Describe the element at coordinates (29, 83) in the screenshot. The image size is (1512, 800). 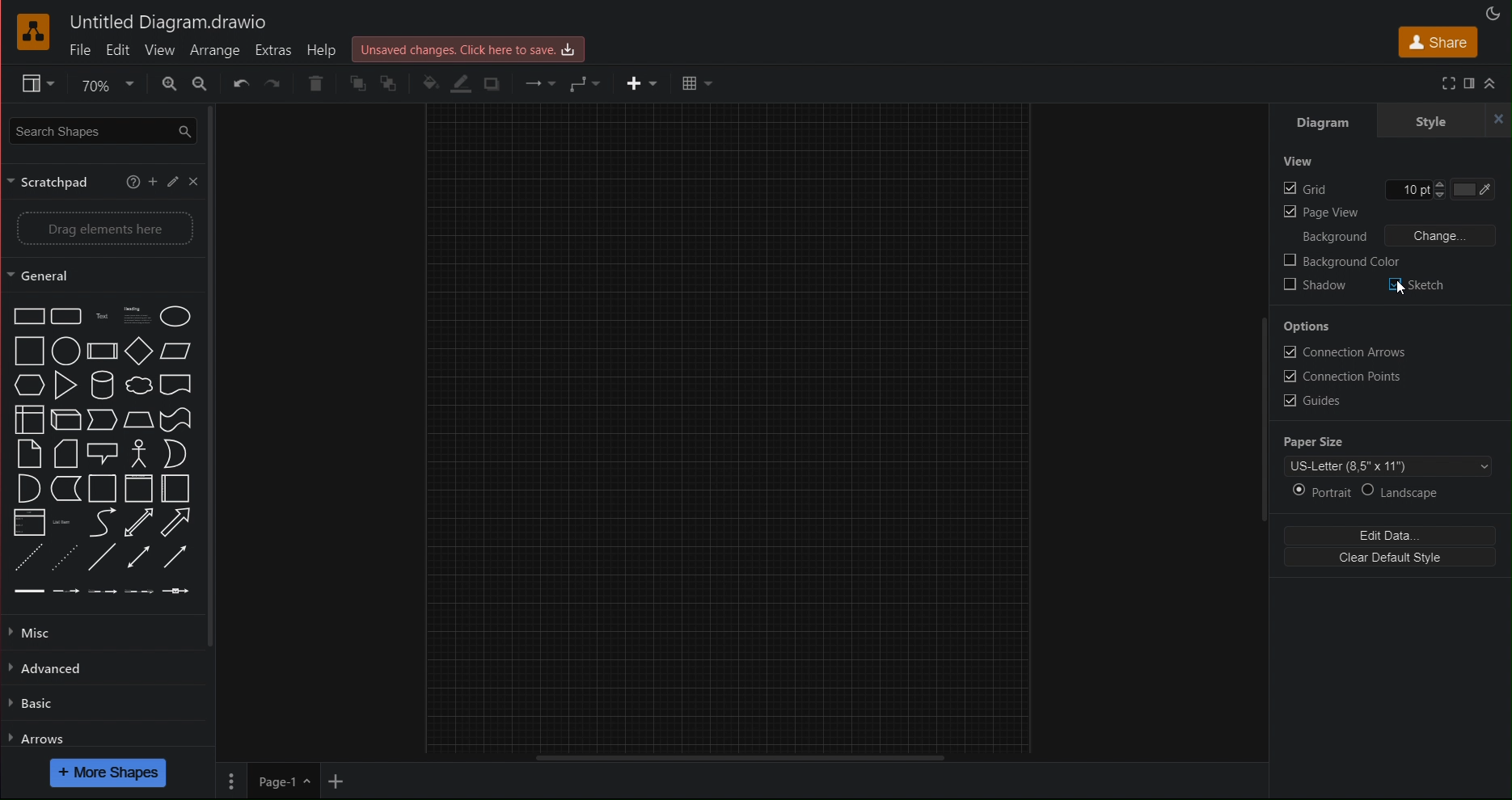
I see `Format` at that location.